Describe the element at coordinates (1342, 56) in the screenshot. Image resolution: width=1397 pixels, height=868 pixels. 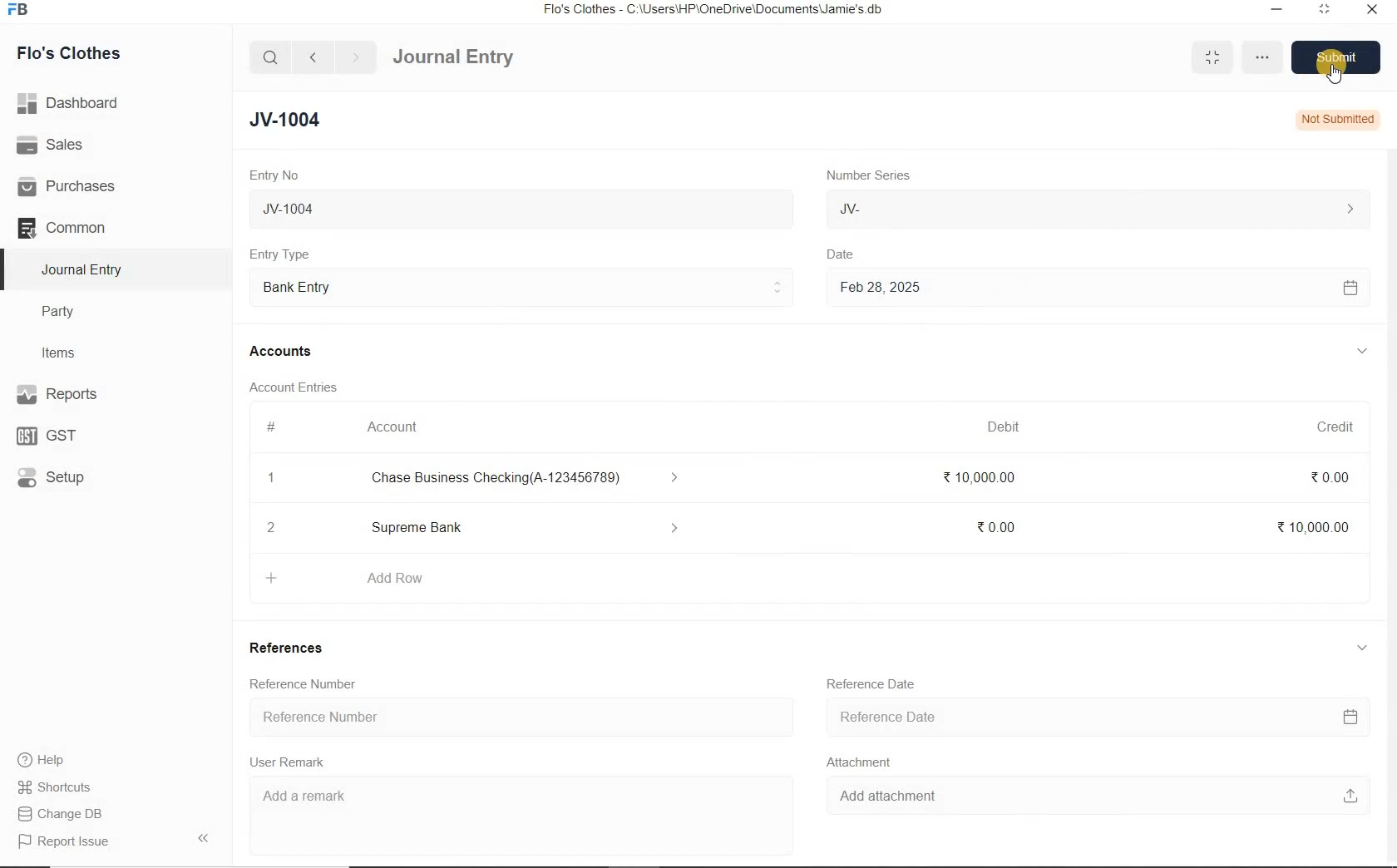
I see `Save` at that location.